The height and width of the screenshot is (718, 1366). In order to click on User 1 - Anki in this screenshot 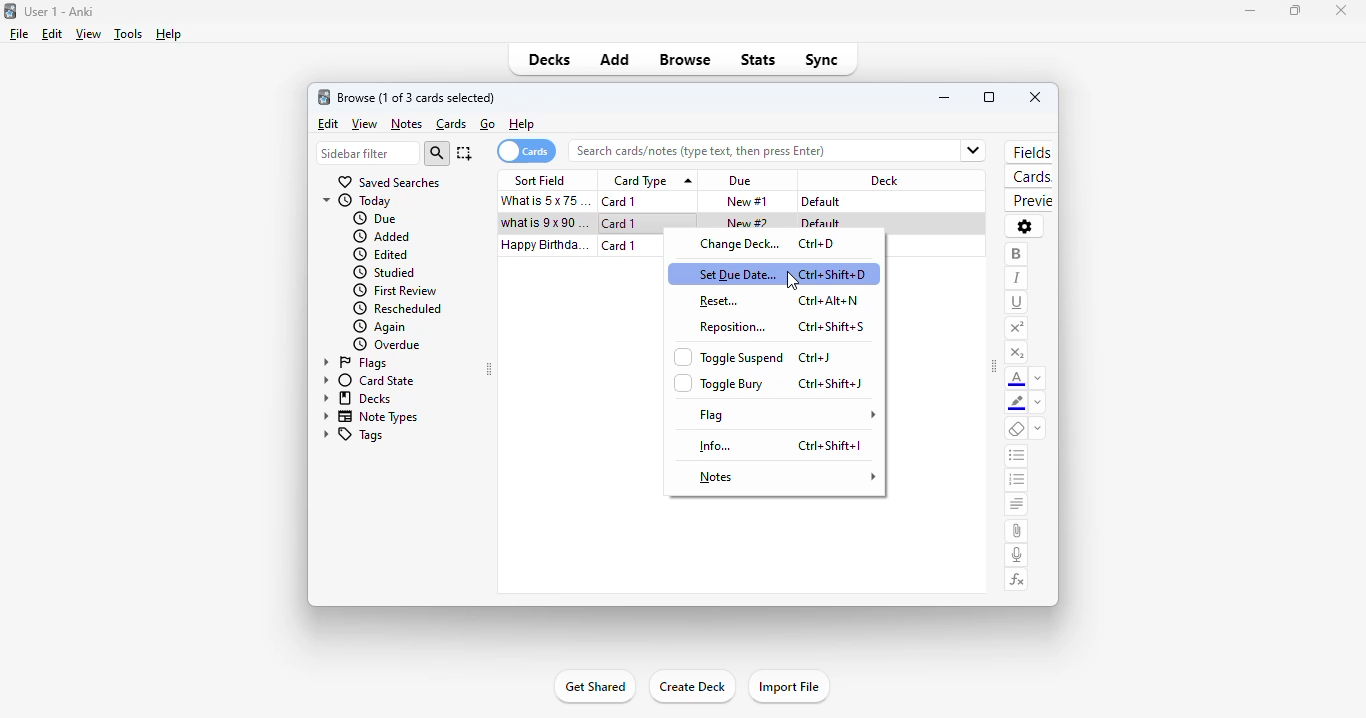, I will do `click(59, 11)`.